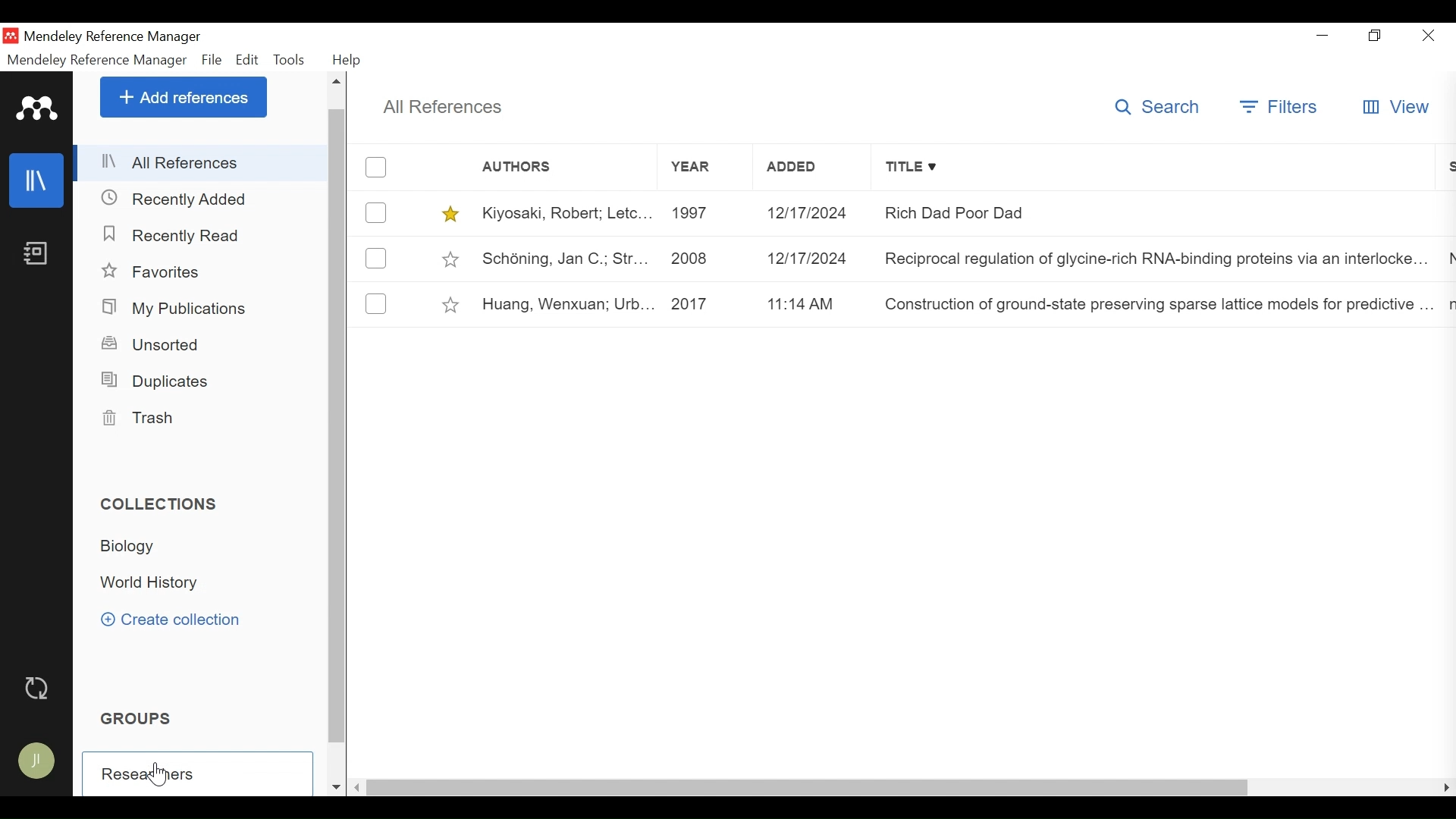  What do you see at coordinates (360, 786) in the screenshot?
I see `Scroll Left` at bounding box center [360, 786].